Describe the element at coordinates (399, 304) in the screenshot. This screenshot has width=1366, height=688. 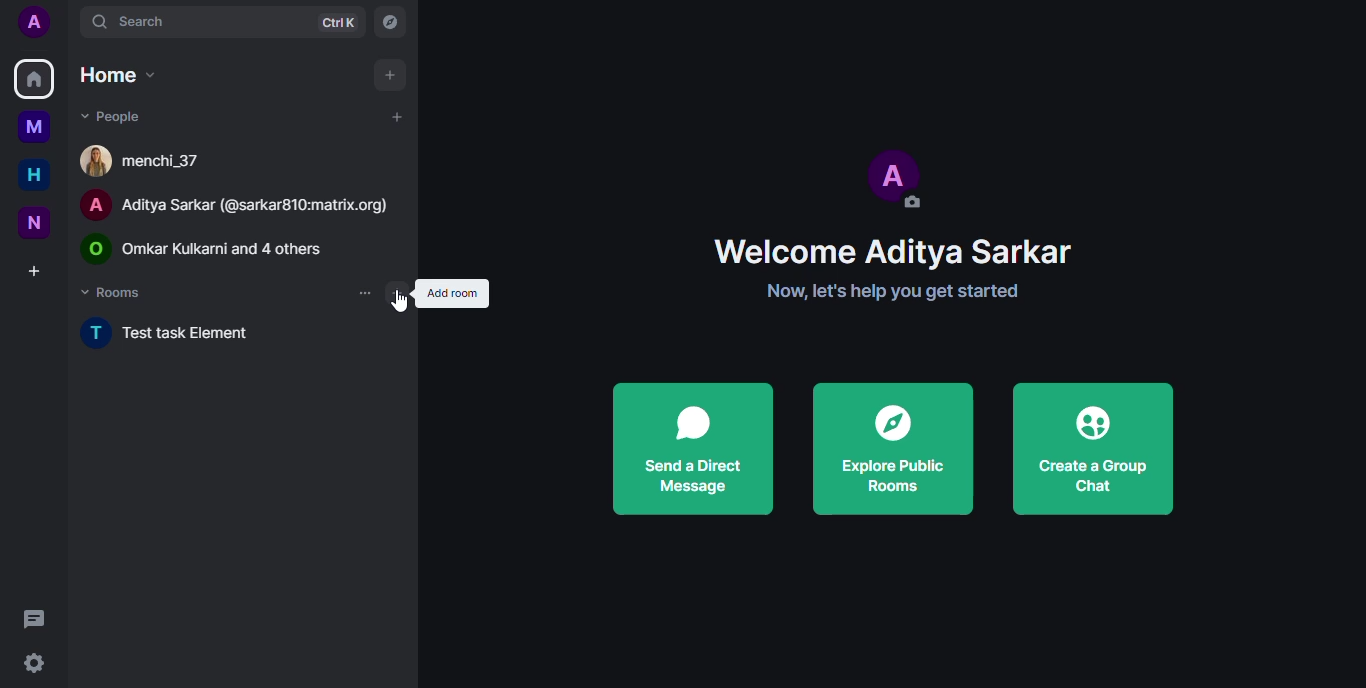
I see `cursor` at that location.